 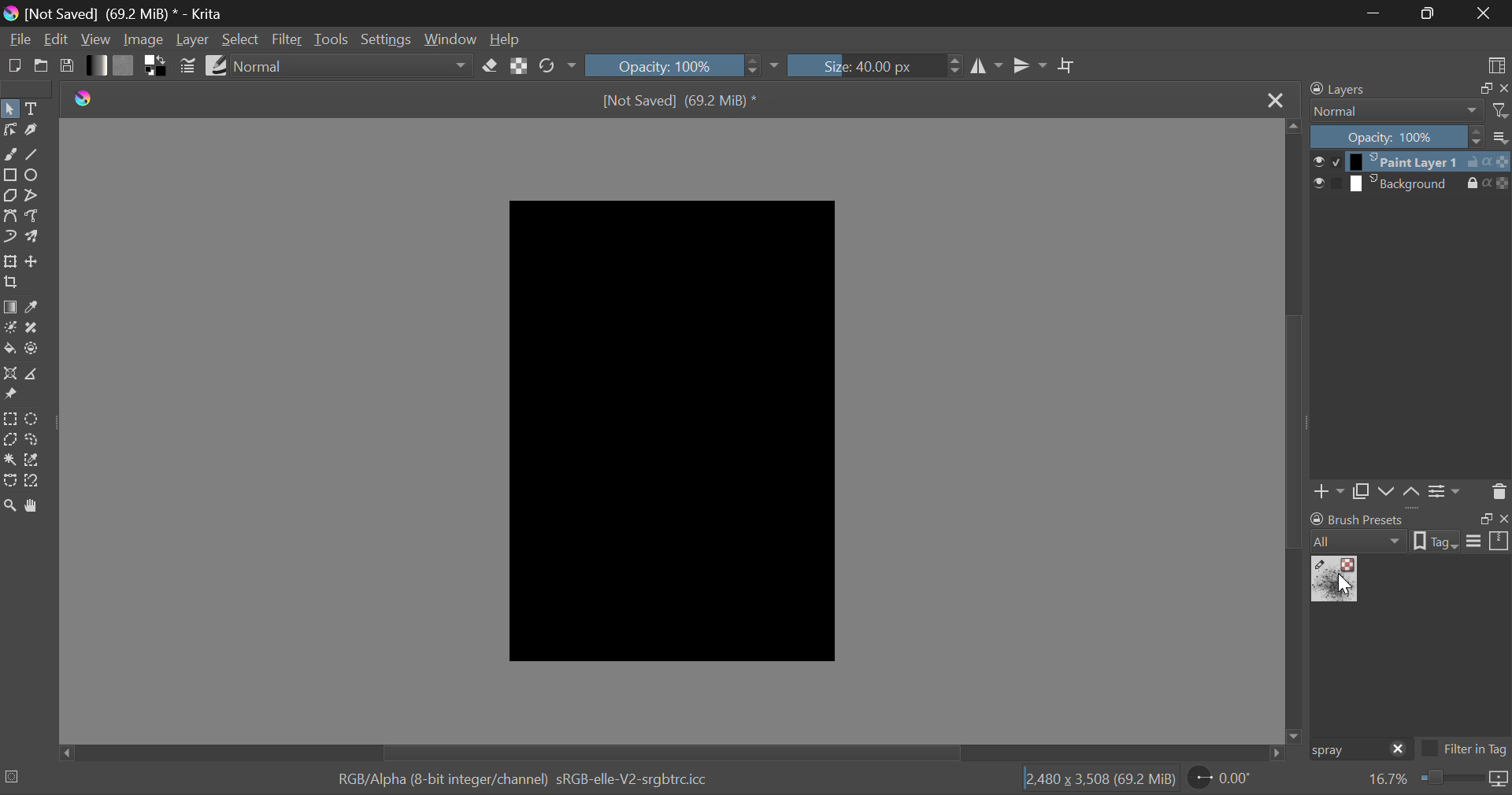 I want to click on Window, so click(x=453, y=38).